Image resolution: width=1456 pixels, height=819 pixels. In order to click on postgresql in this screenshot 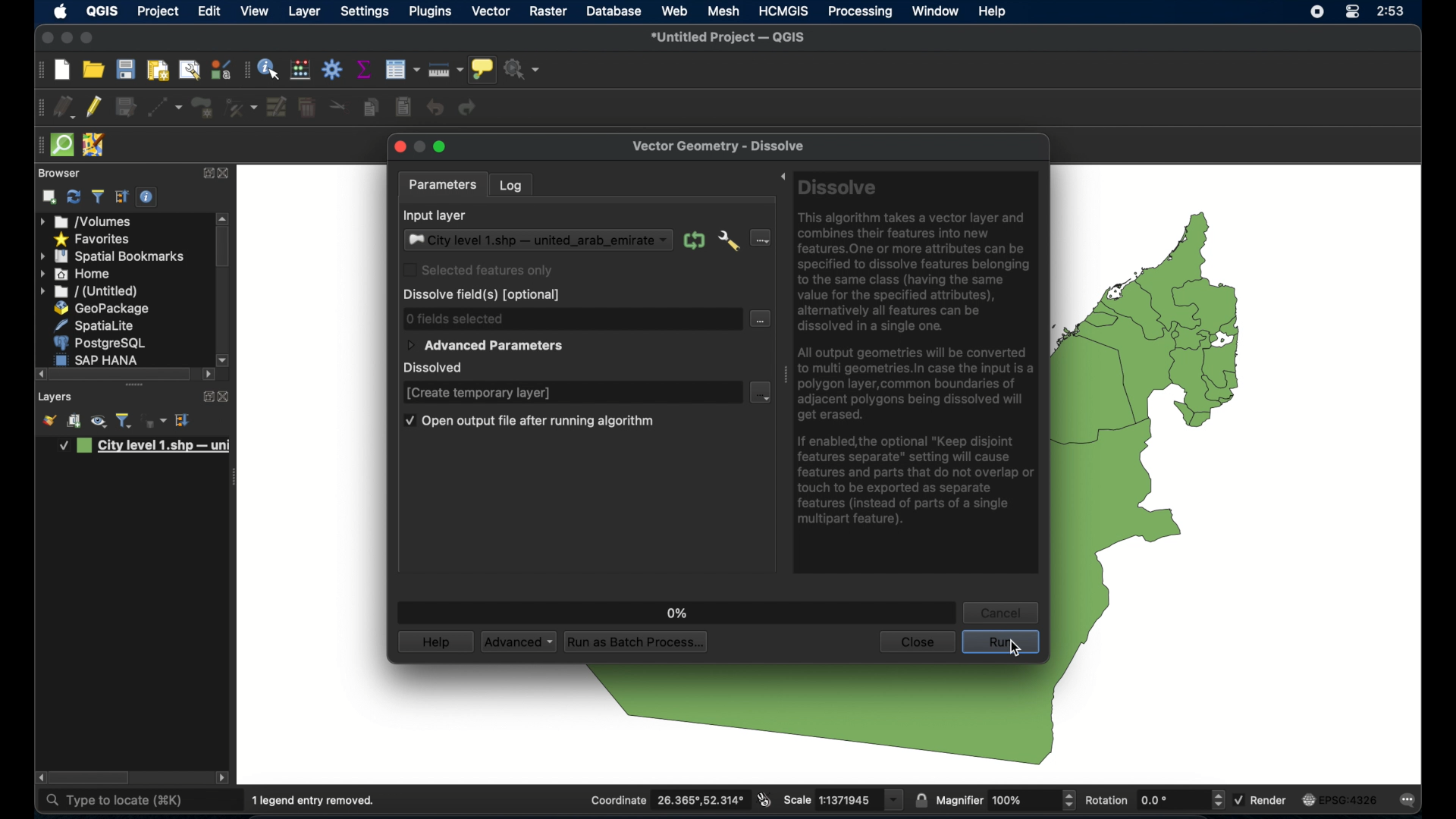, I will do `click(102, 343)`.